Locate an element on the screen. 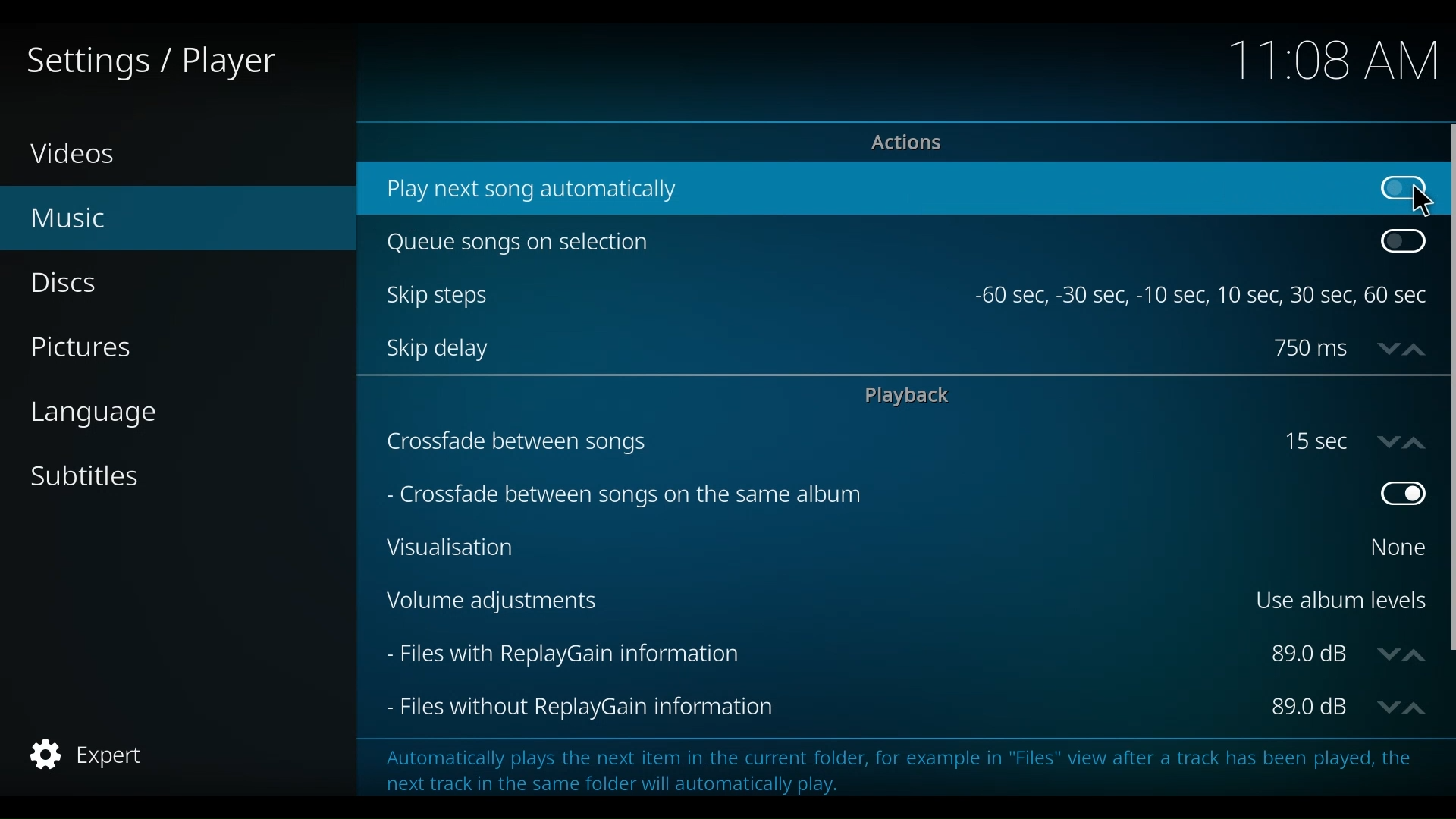 The height and width of the screenshot is (819, 1456). Files without ReplayGain information dB is located at coordinates (1310, 708).